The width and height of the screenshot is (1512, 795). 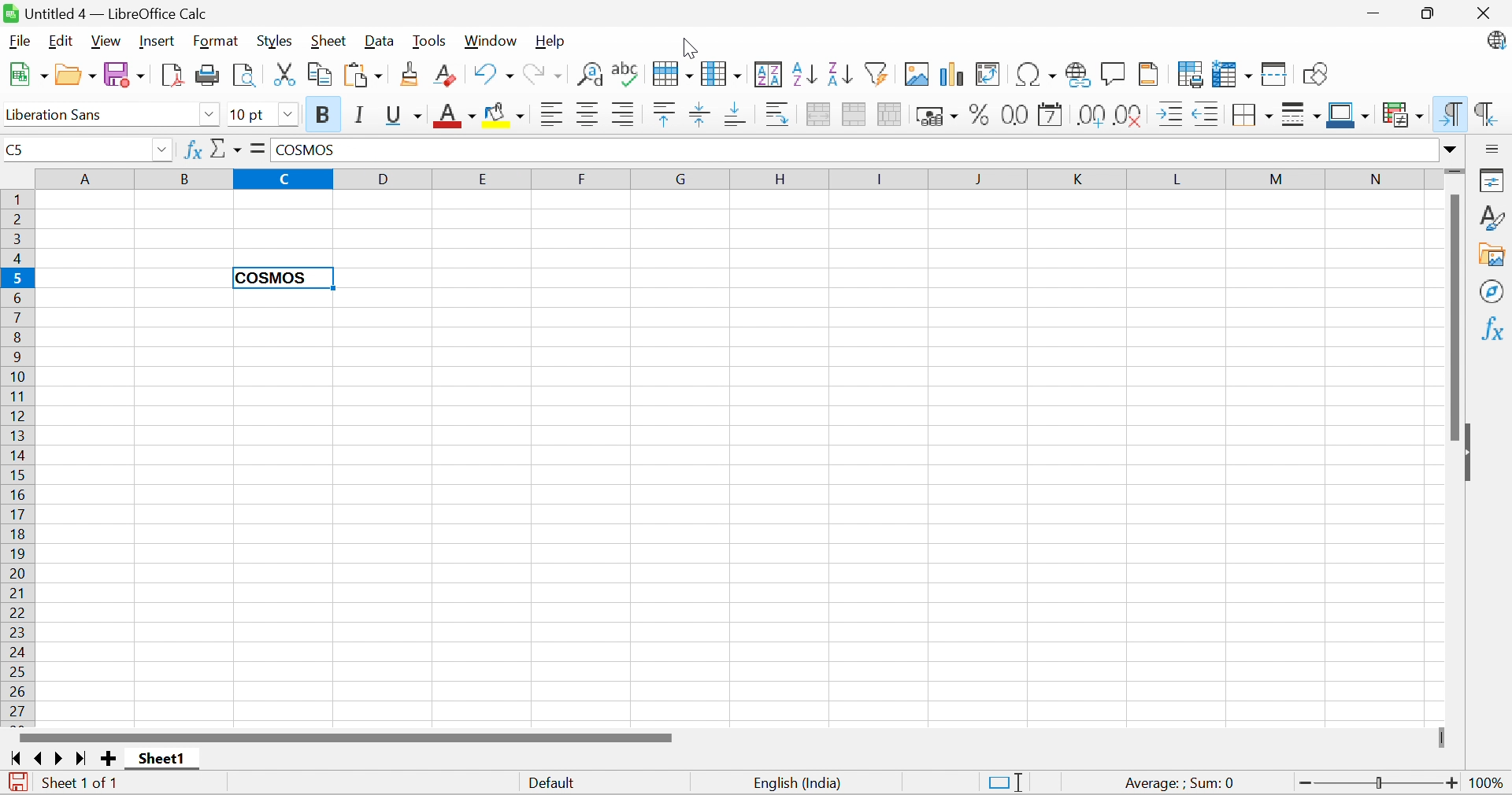 What do you see at coordinates (1349, 113) in the screenshot?
I see `Border Color` at bounding box center [1349, 113].